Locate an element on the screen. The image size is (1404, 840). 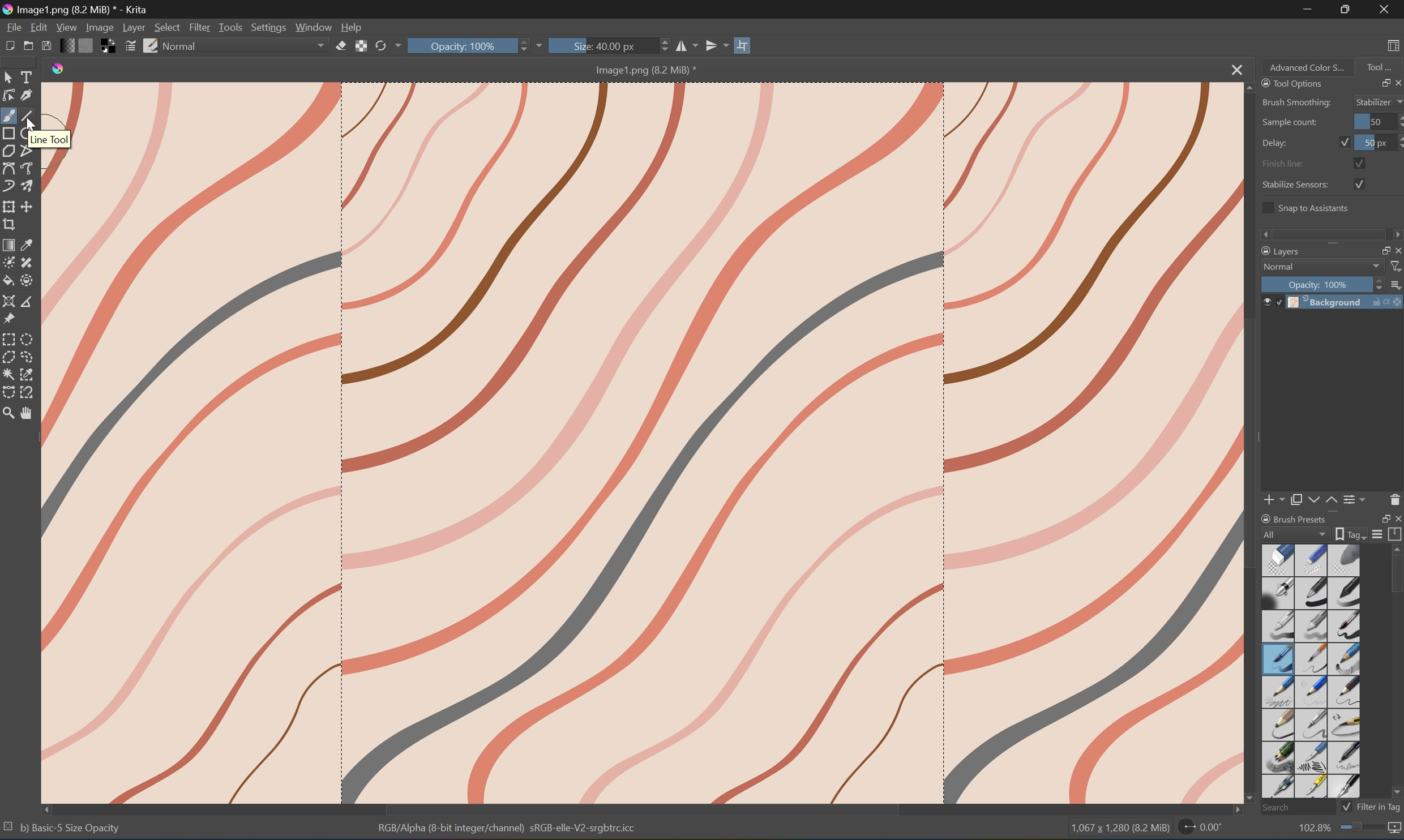
Restore Down is located at coordinates (1349, 9).